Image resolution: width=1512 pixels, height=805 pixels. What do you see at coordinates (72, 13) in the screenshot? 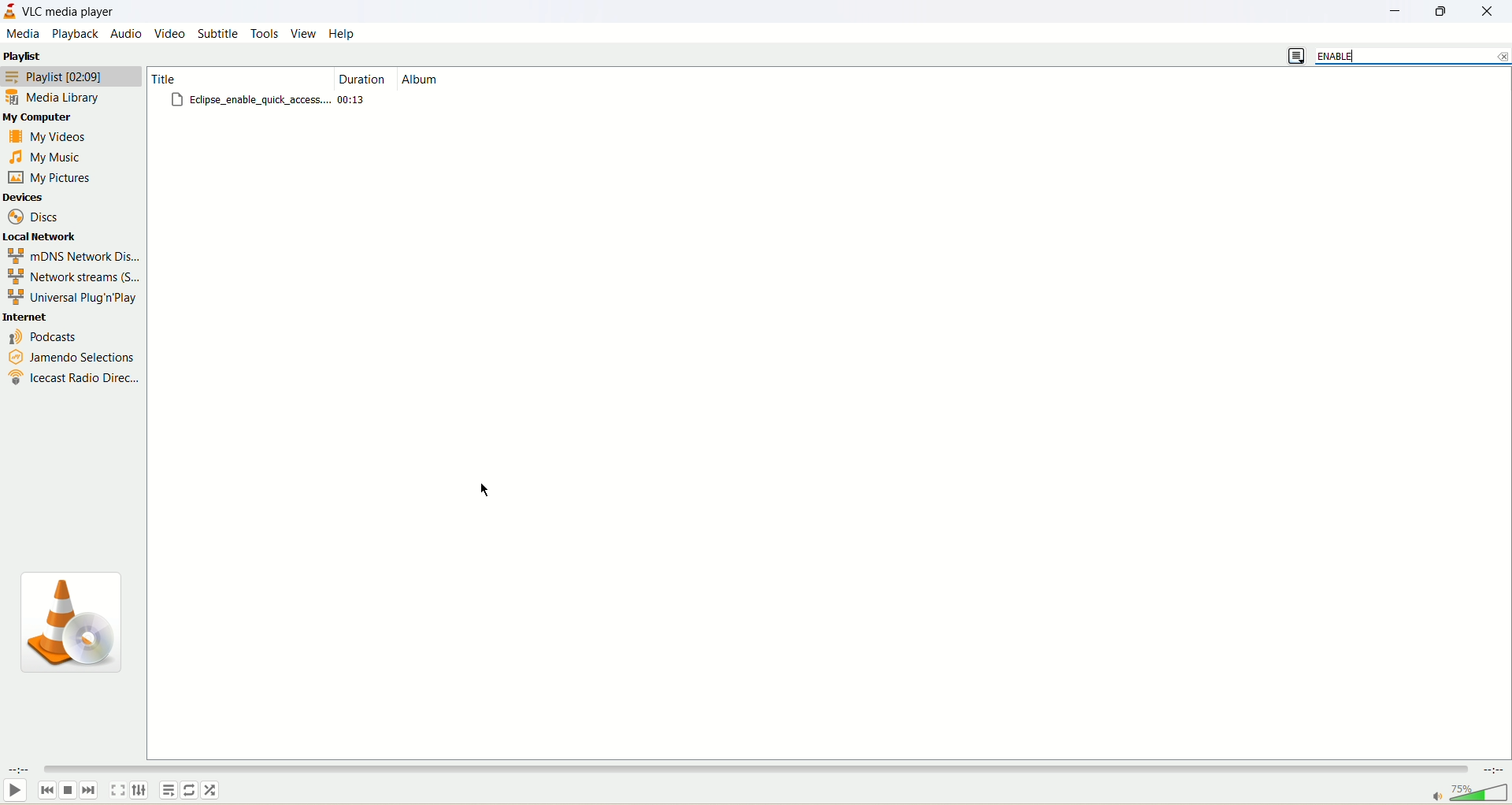
I see `VLC media player` at bounding box center [72, 13].